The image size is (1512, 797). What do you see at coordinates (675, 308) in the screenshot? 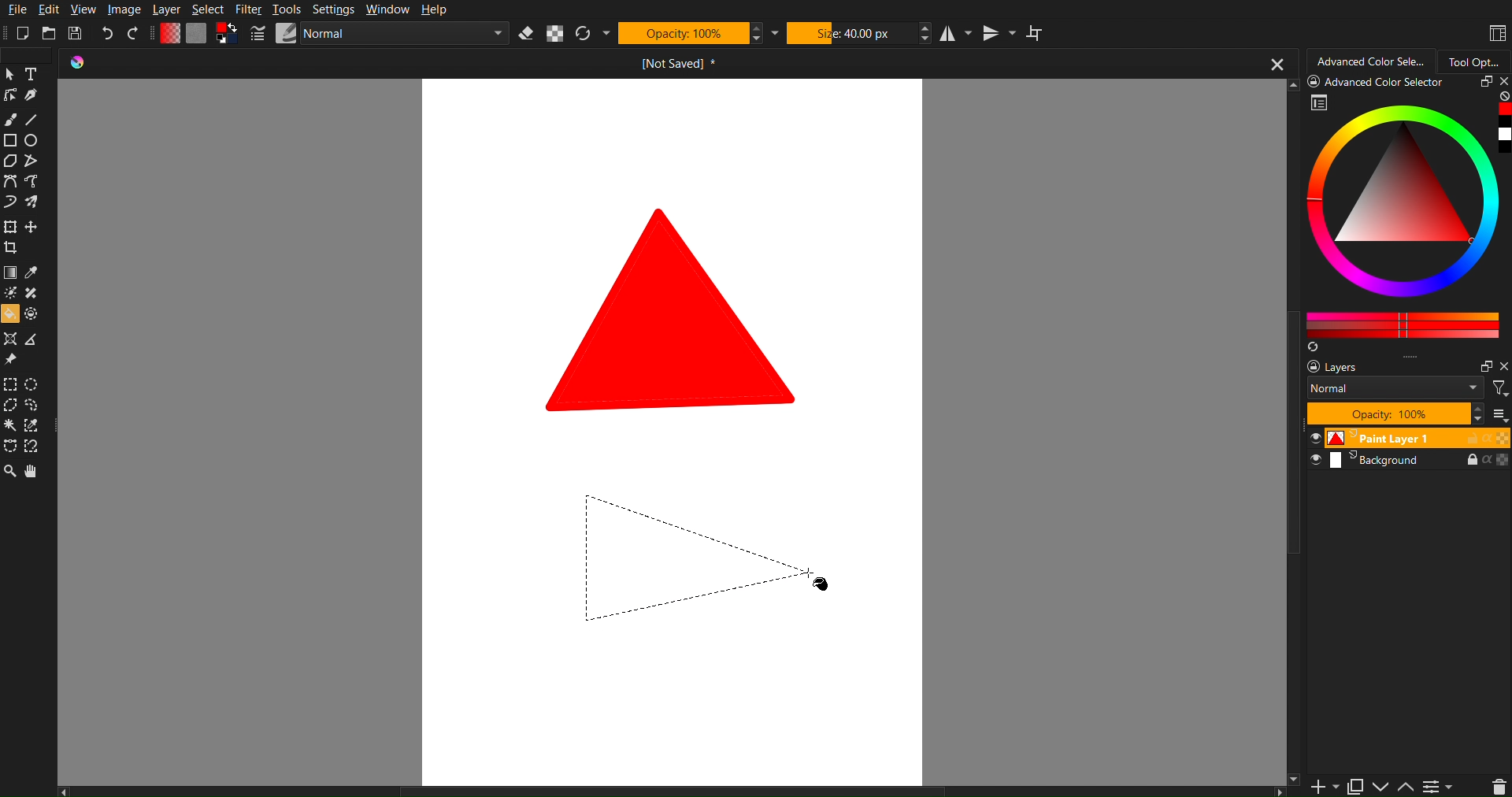
I see `Shape` at bounding box center [675, 308].